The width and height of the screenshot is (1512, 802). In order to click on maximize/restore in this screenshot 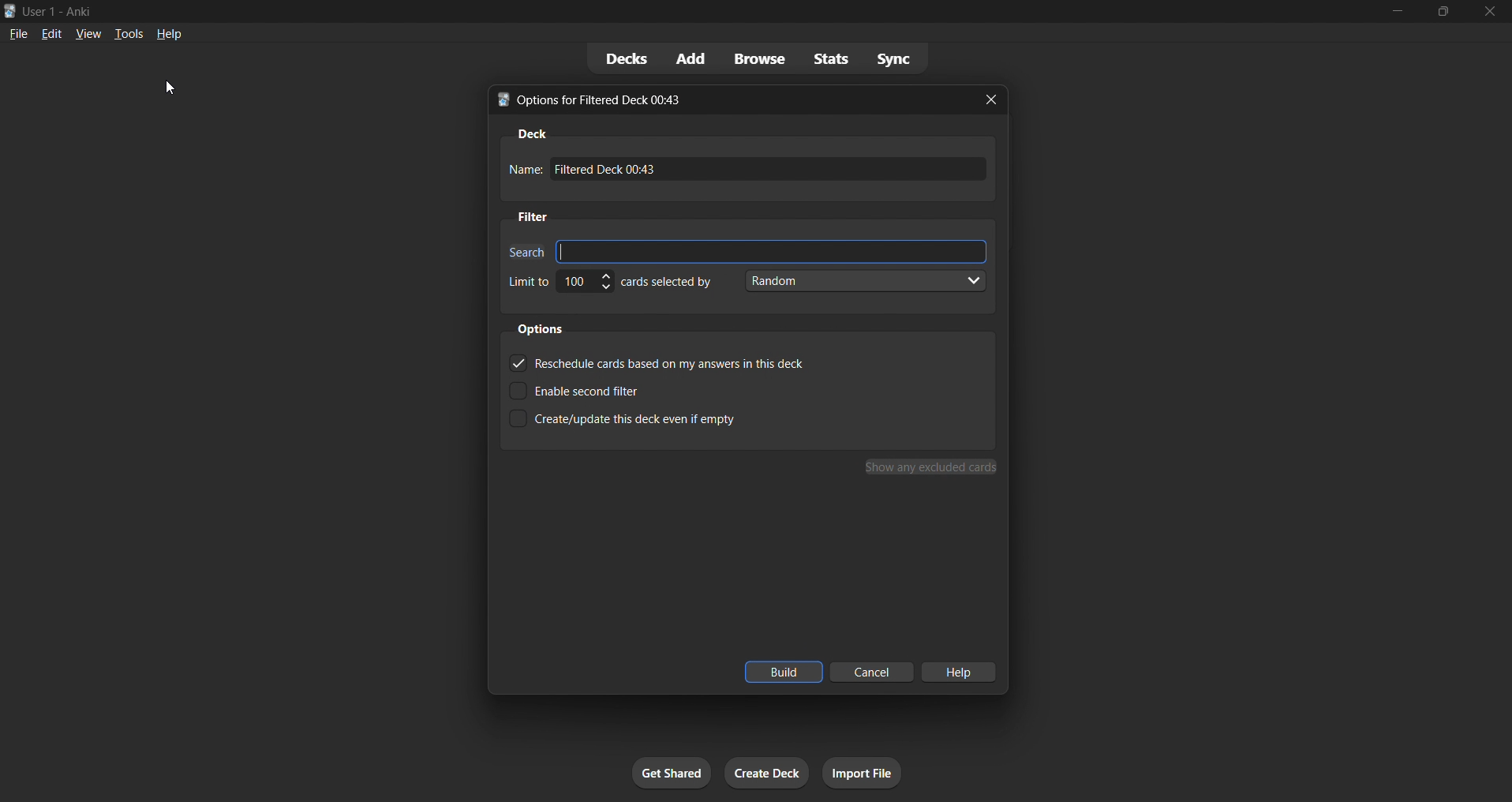, I will do `click(1439, 10)`.